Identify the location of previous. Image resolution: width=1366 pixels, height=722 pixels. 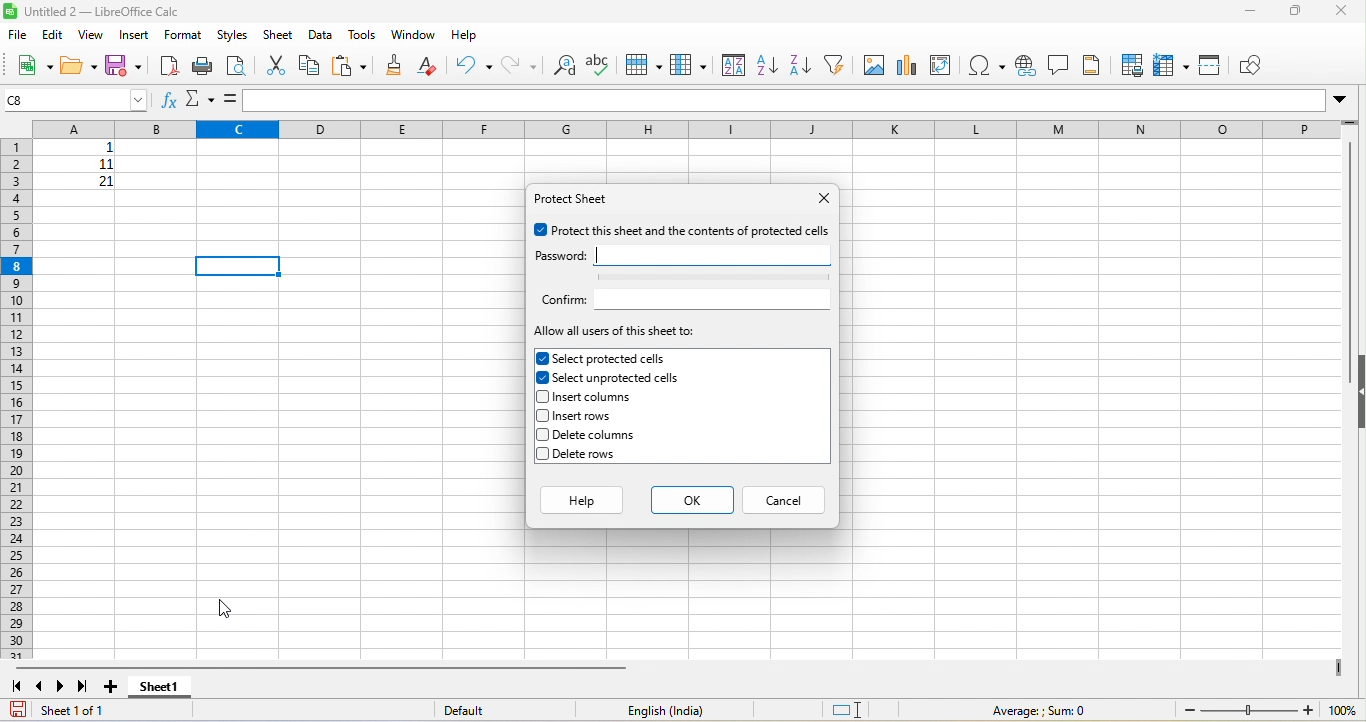
(40, 685).